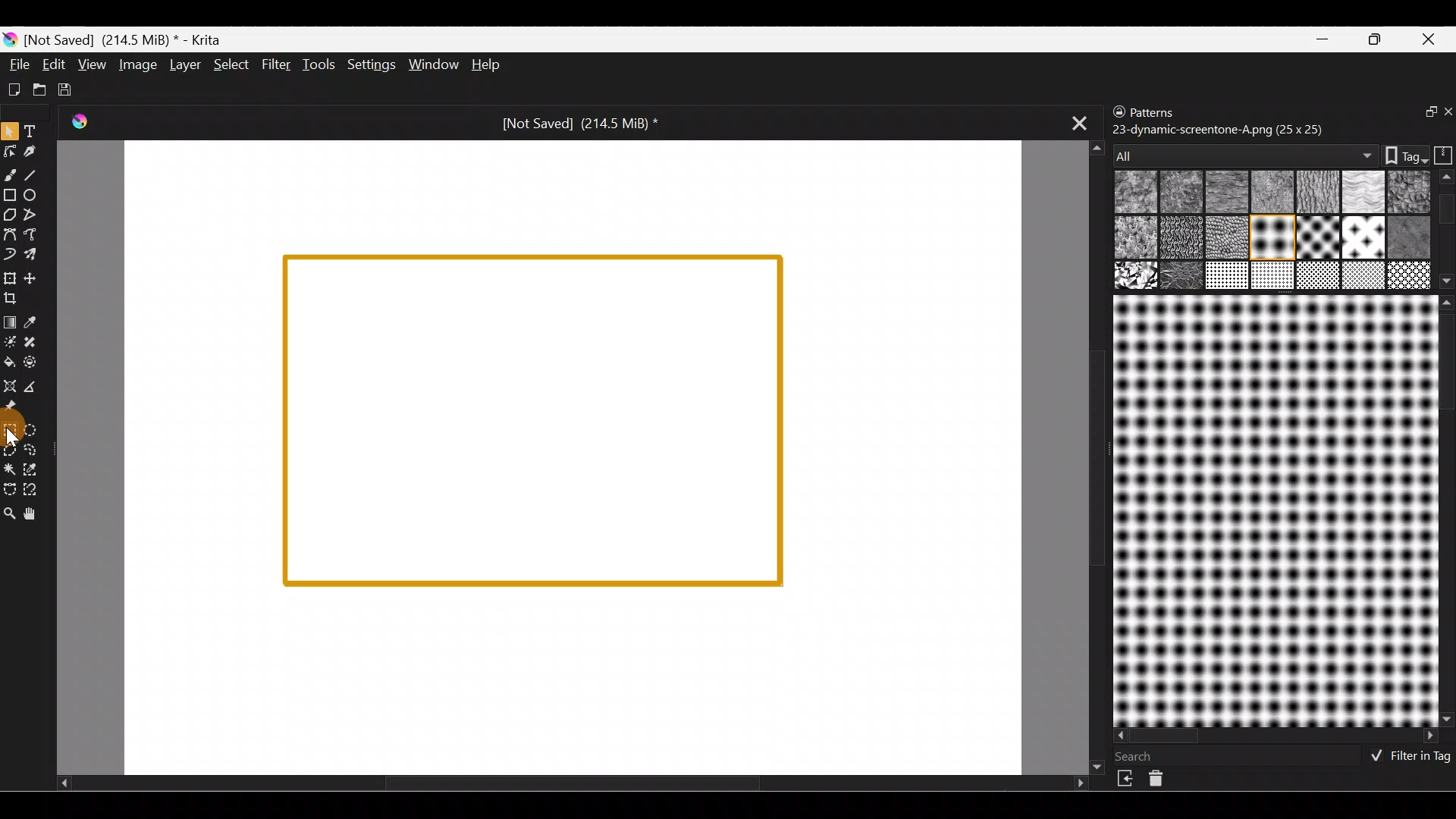 The image size is (1456, 819). What do you see at coordinates (17, 406) in the screenshot?
I see `Reference images tool` at bounding box center [17, 406].